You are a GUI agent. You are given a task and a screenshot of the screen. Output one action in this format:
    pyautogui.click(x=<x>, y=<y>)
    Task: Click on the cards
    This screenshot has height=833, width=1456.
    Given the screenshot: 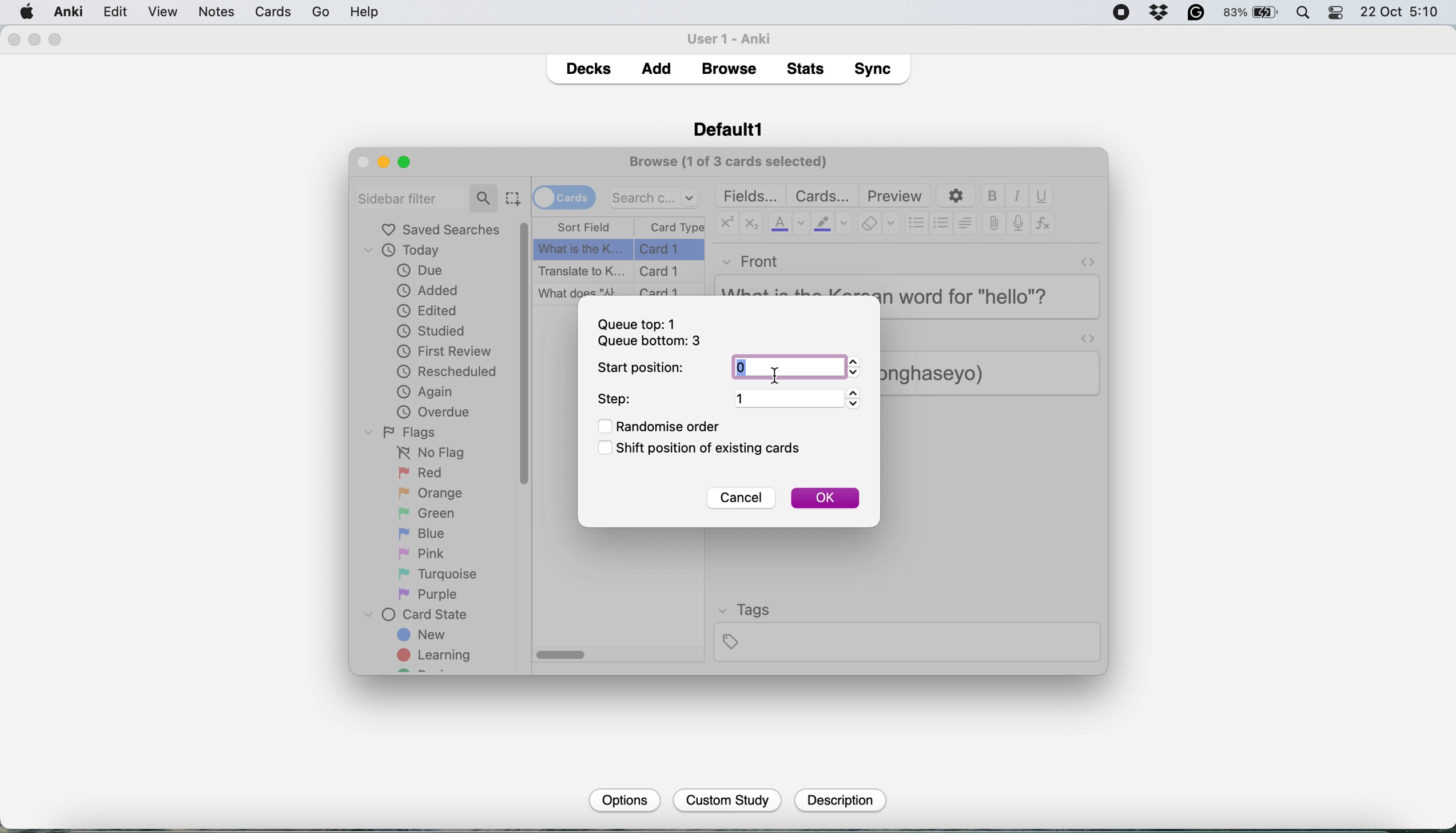 What is the action you would take?
    pyautogui.click(x=564, y=196)
    